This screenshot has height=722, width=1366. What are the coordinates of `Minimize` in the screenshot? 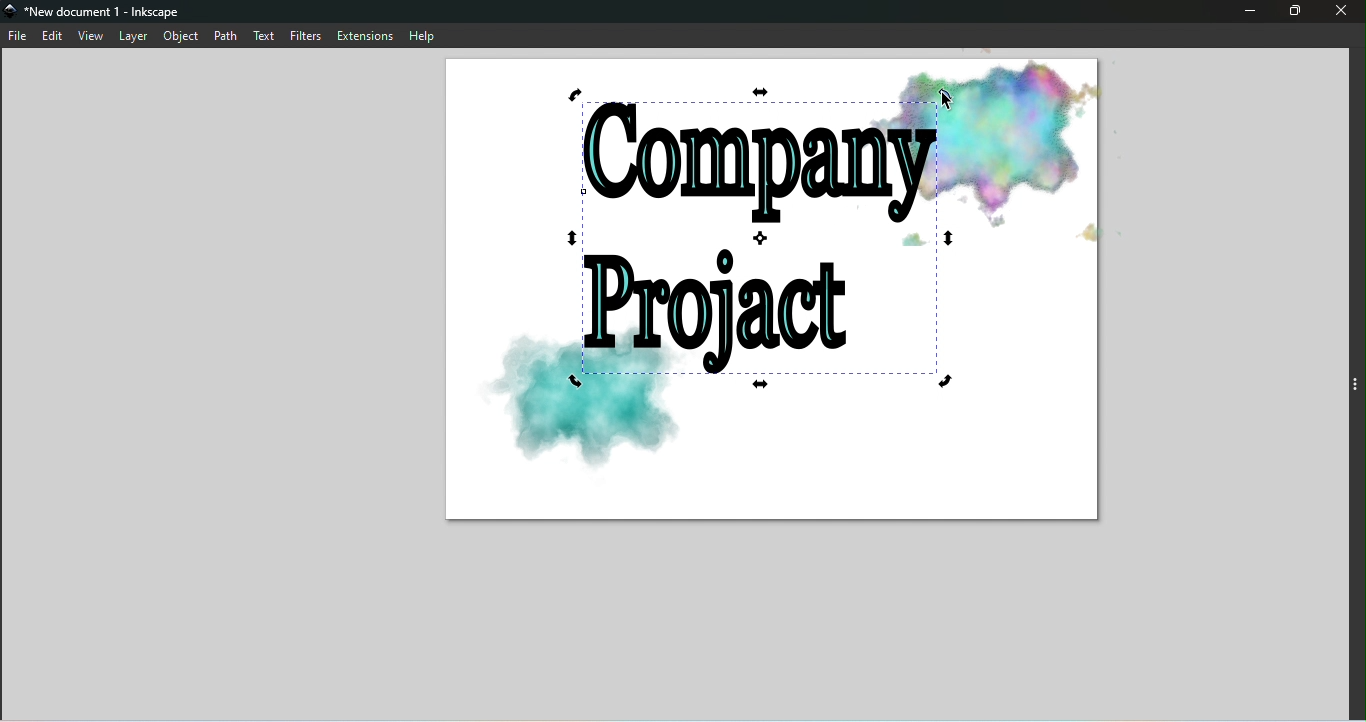 It's located at (1246, 13).